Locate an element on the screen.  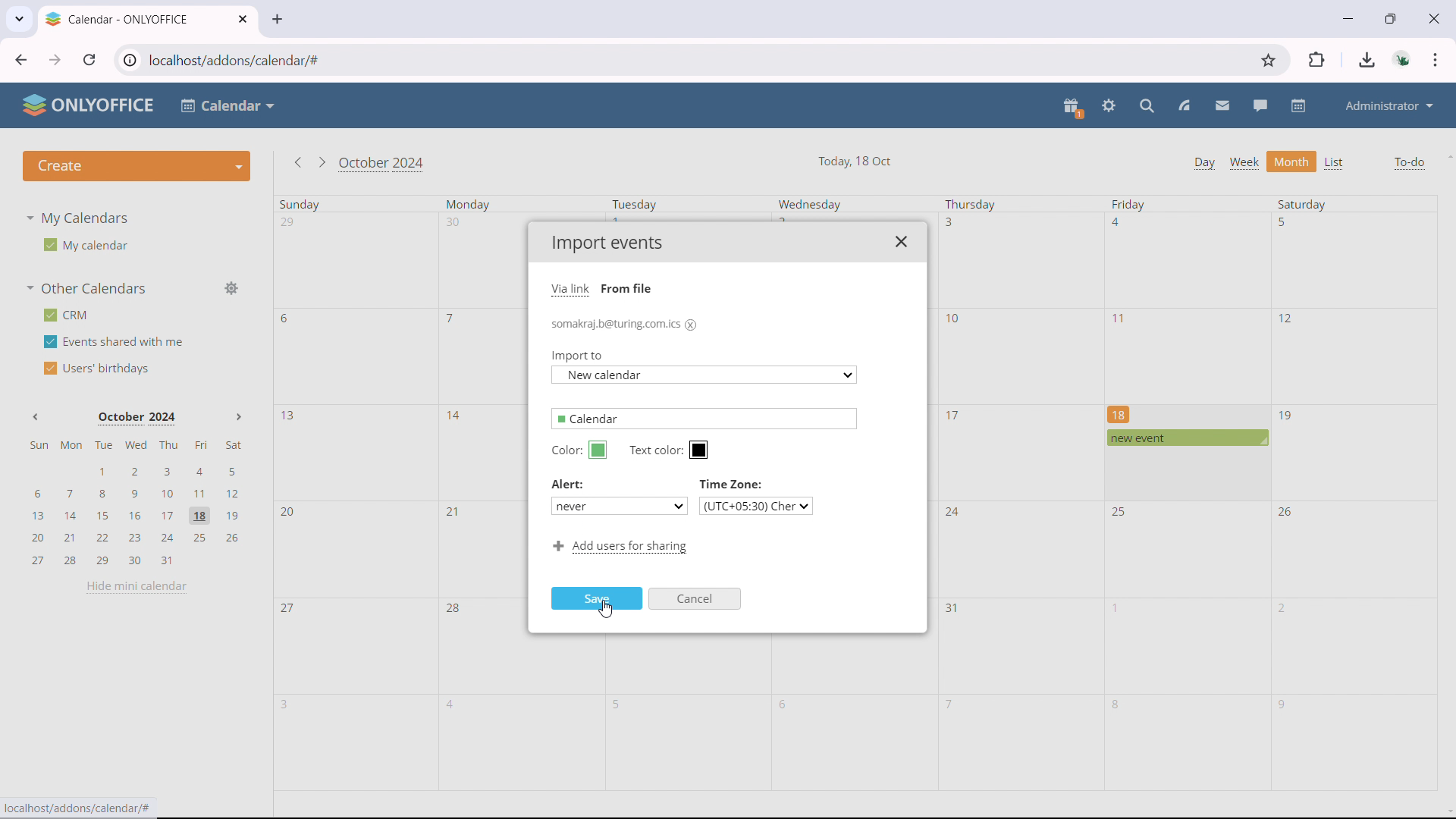
14 is located at coordinates (457, 416).